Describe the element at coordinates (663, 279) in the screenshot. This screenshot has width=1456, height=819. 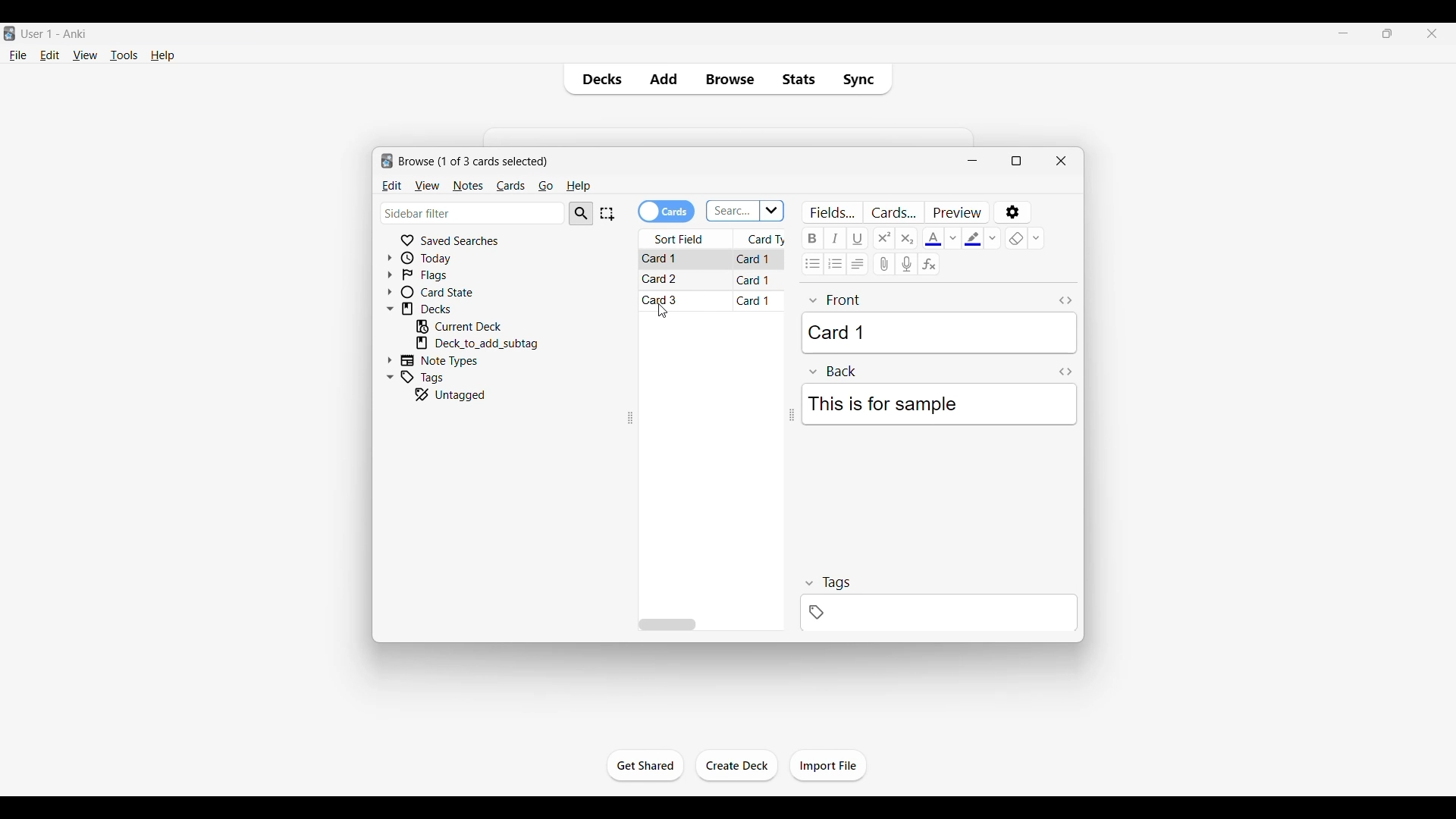
I see `Card 2` at that location.